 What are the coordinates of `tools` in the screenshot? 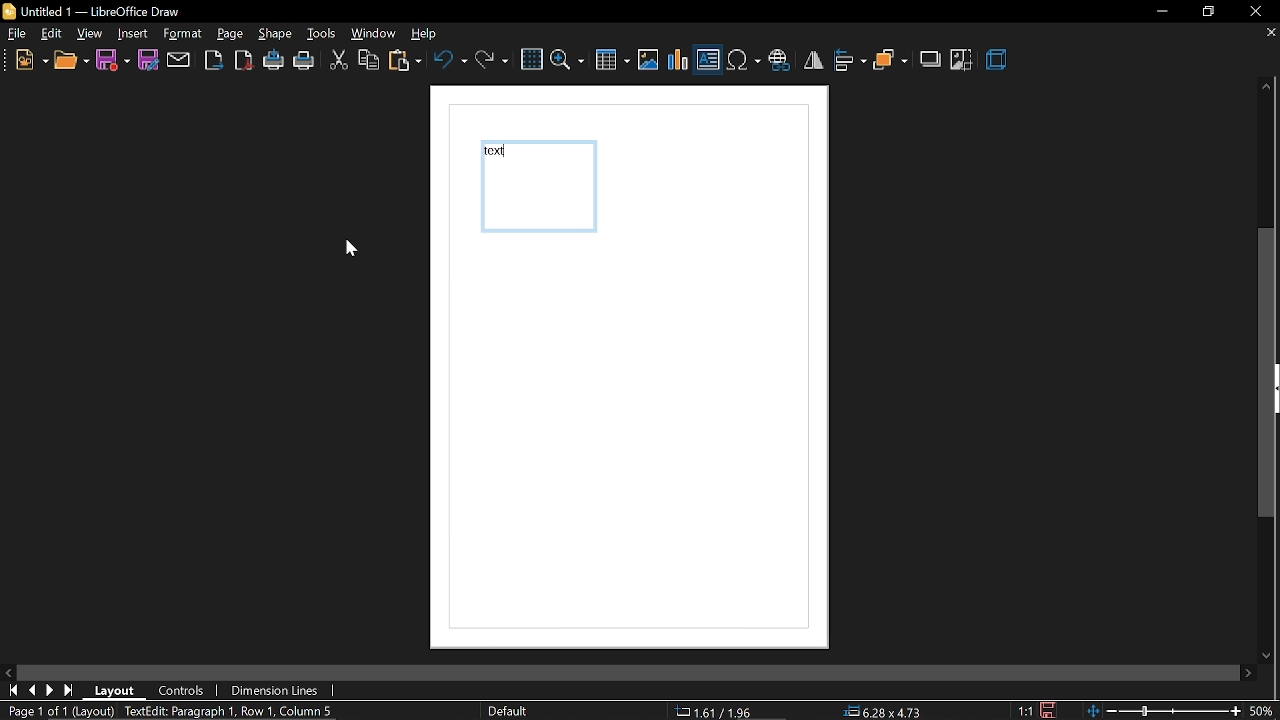 It's located at (322, 35).